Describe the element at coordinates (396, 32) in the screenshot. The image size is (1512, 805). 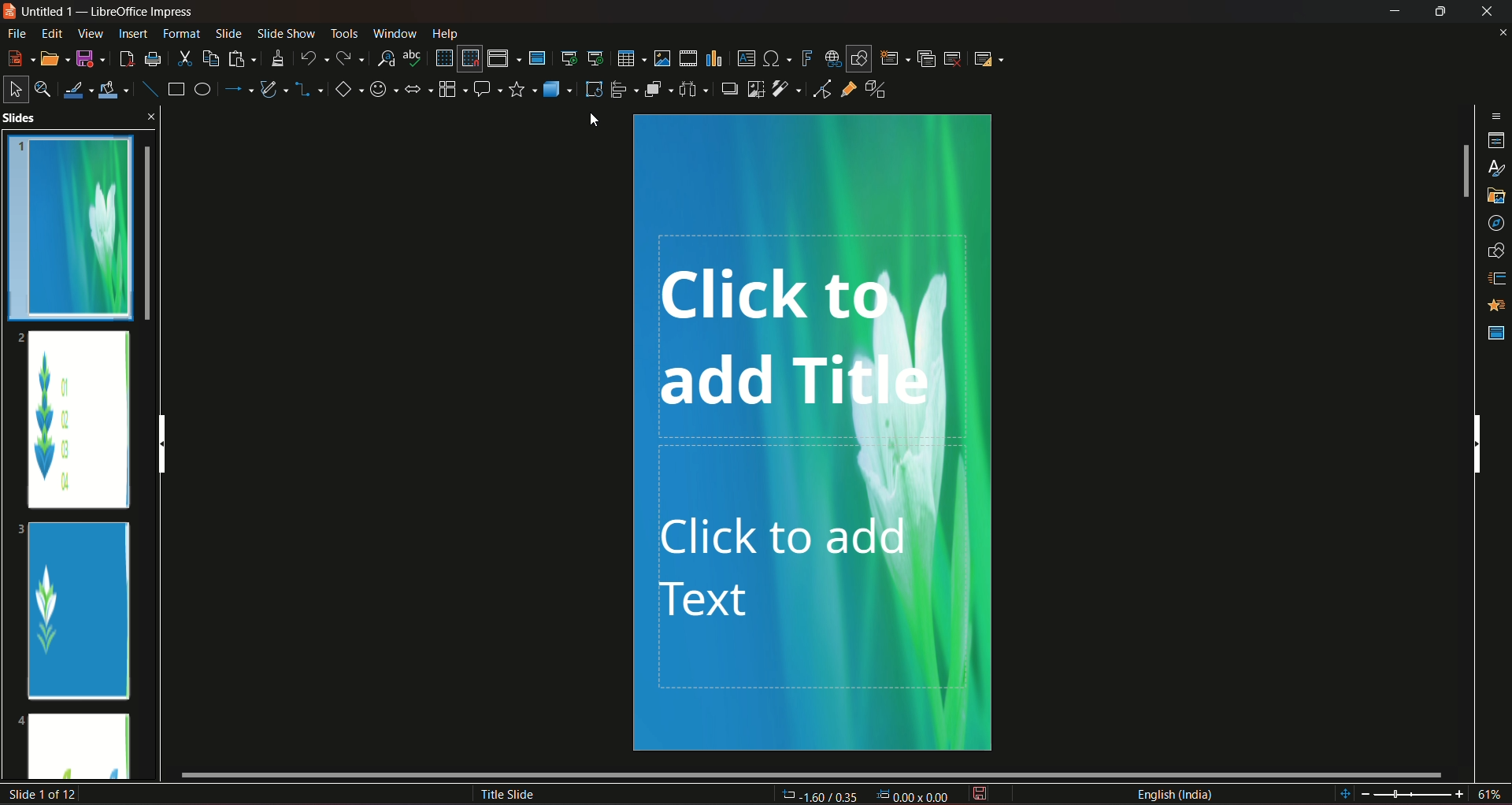
I see `window` at that location.